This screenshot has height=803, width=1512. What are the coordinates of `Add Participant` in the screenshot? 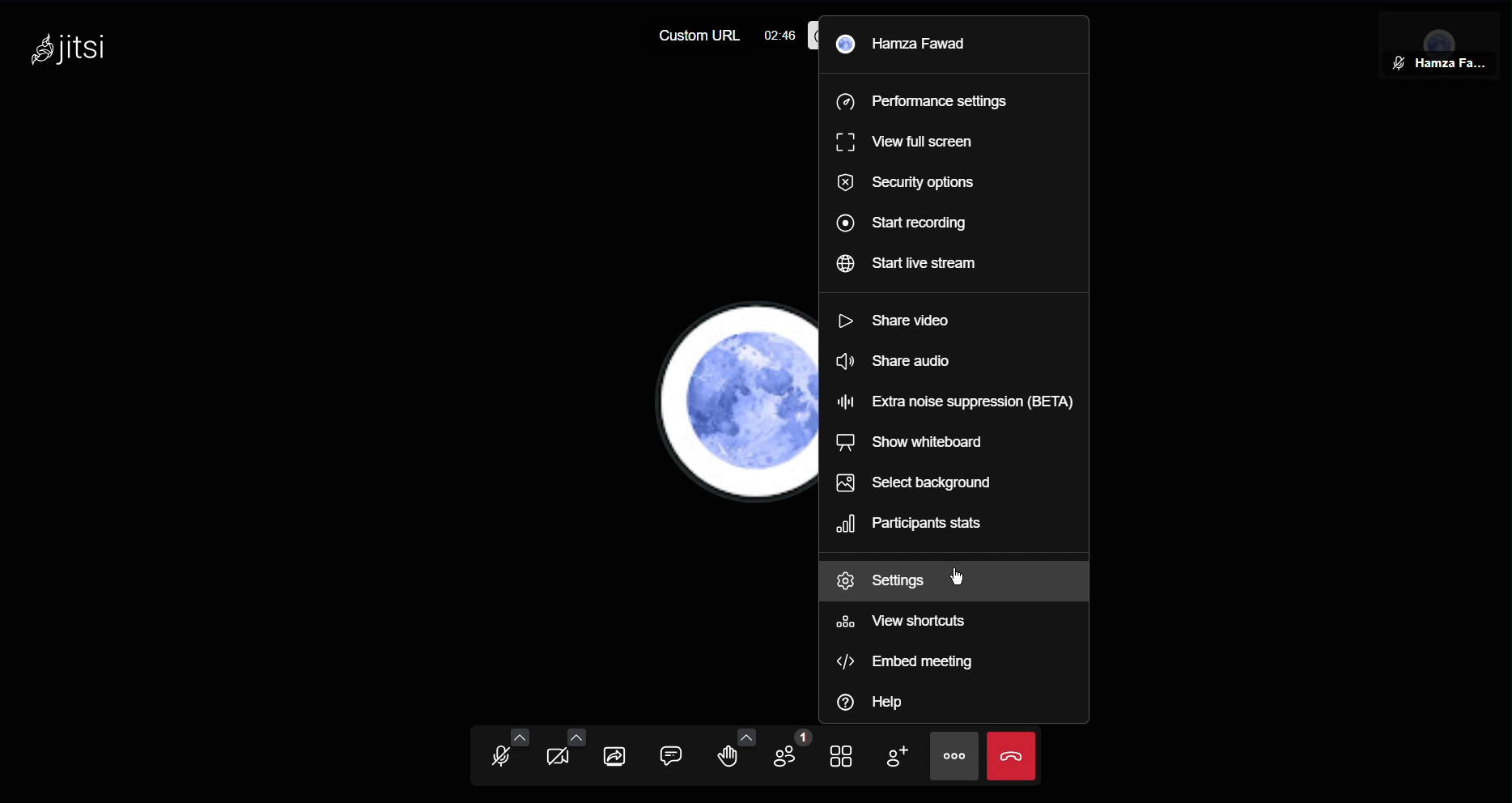 It's located at (897, 758).